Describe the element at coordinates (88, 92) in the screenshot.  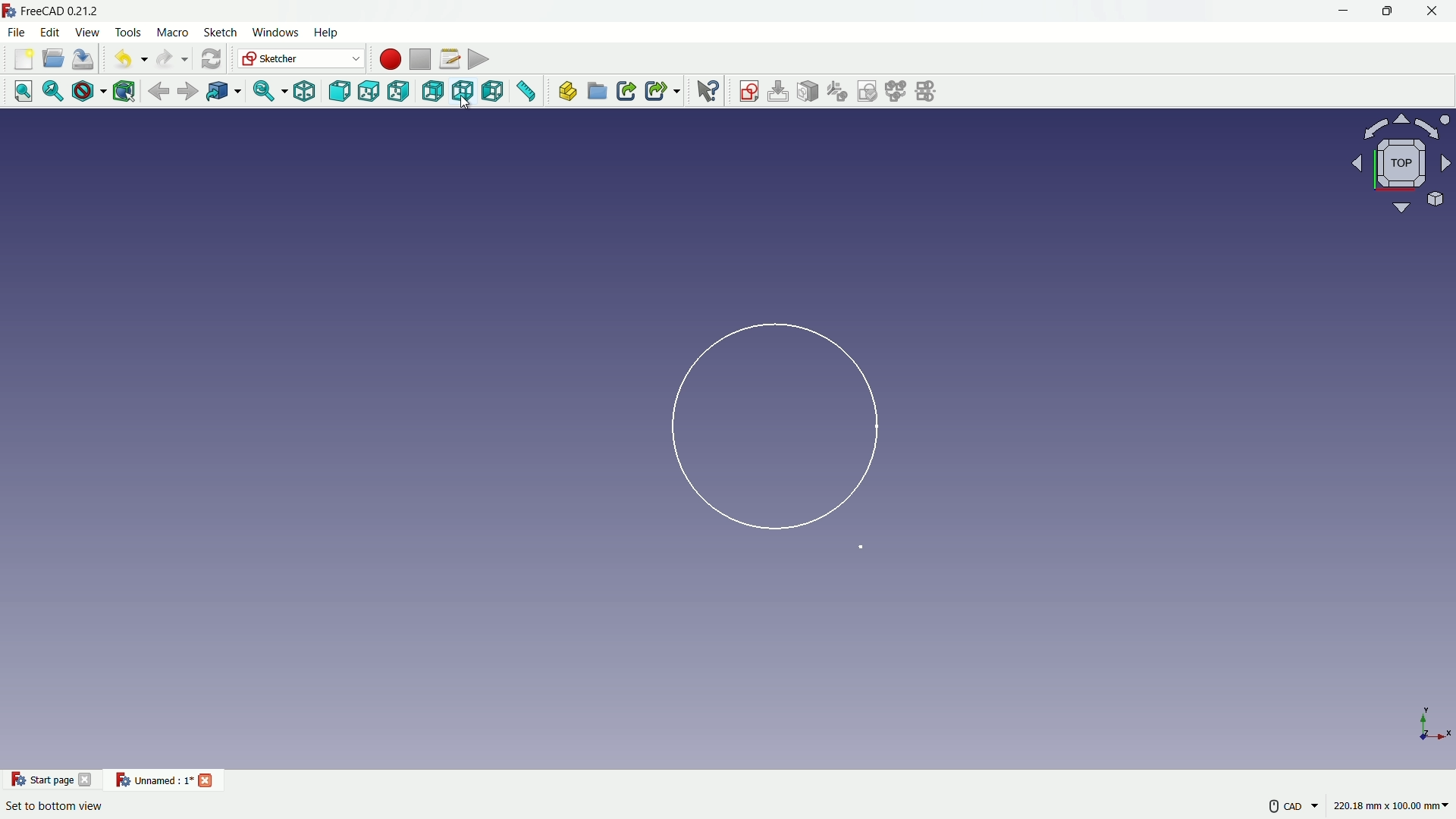
I see `draw style` at that location.